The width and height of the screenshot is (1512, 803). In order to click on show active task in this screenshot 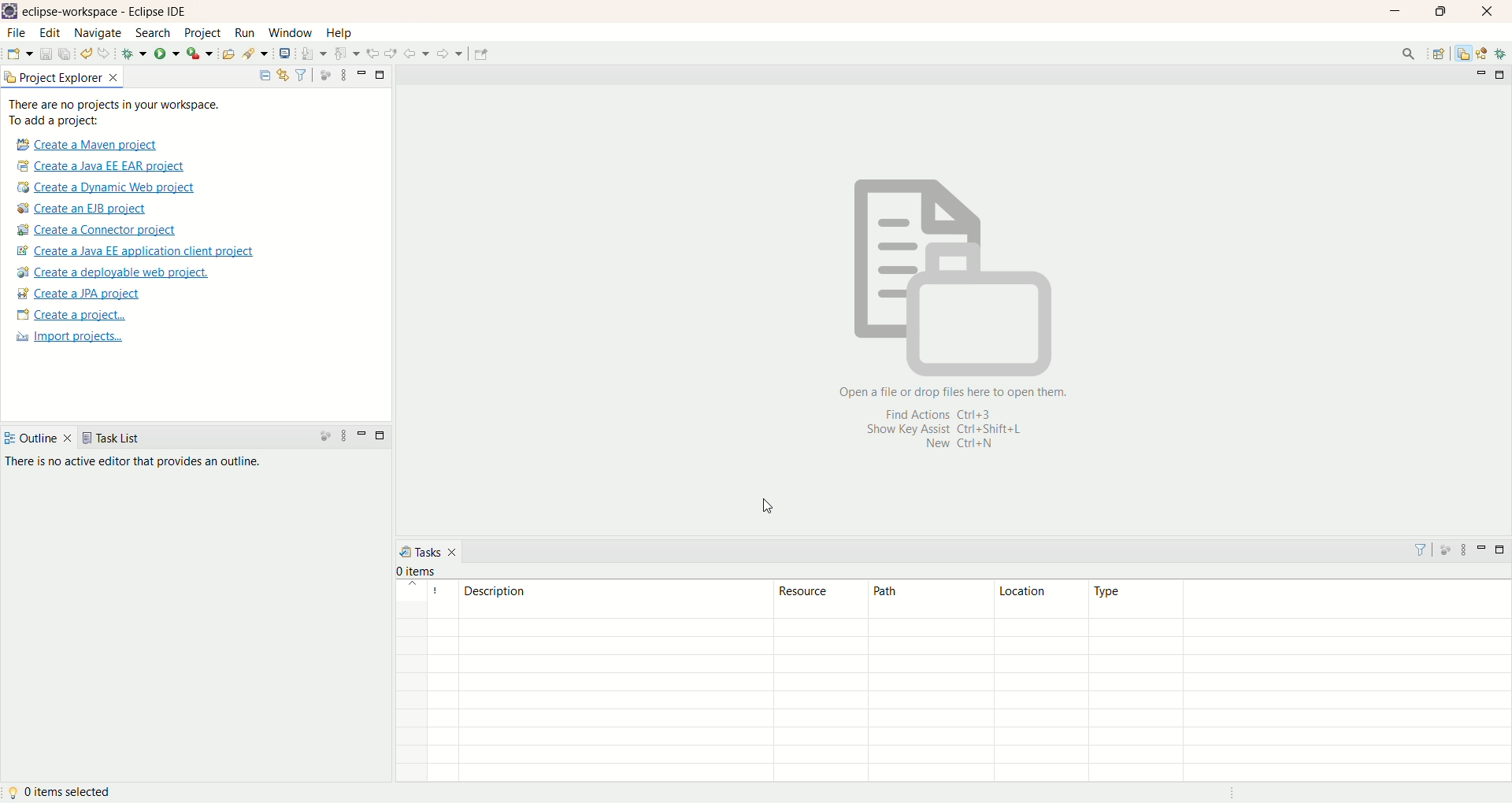, I will do `click(1447, 551)`.